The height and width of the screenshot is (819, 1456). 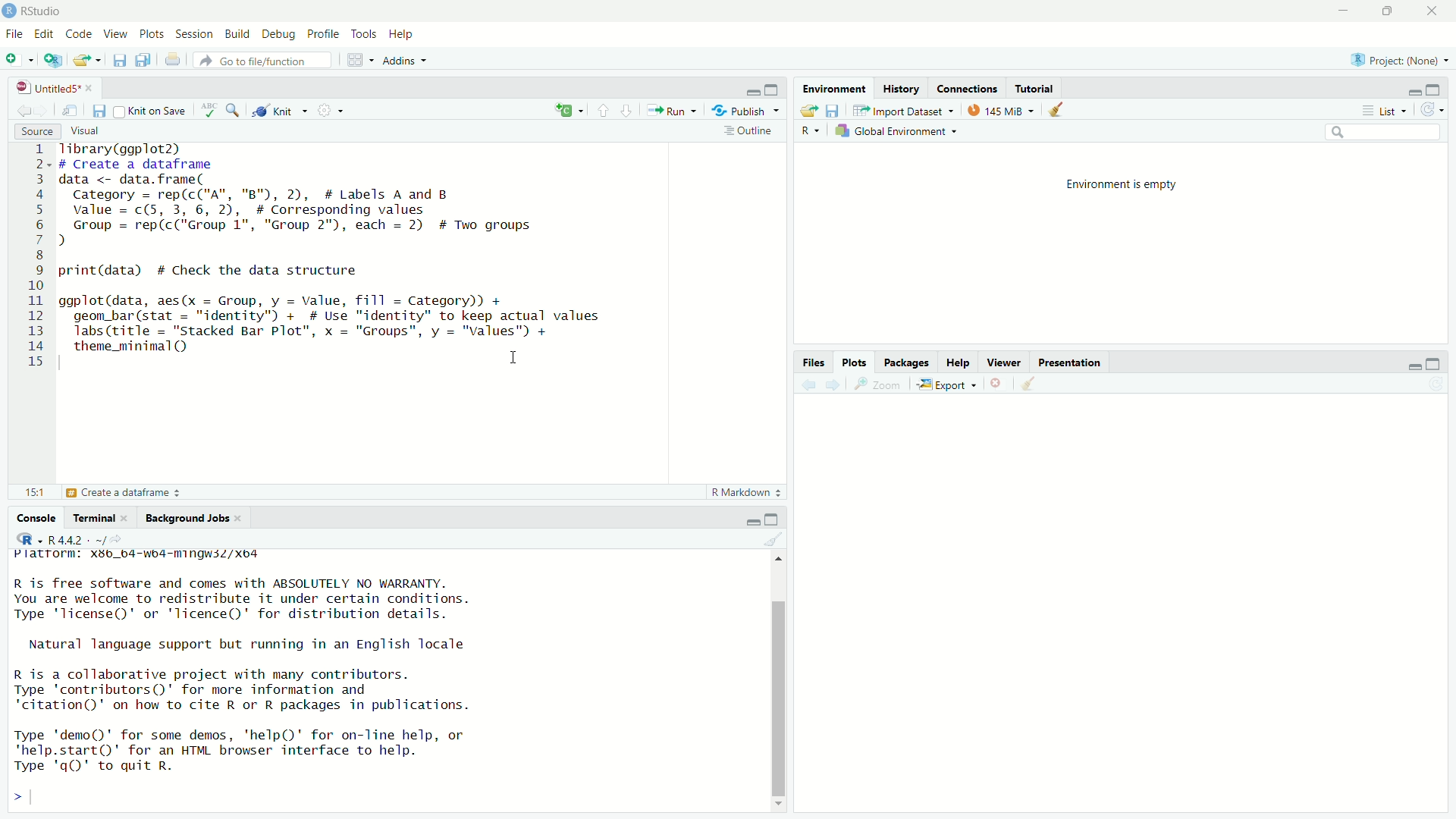 I want to click on Addins, so click(x=408, y=62).